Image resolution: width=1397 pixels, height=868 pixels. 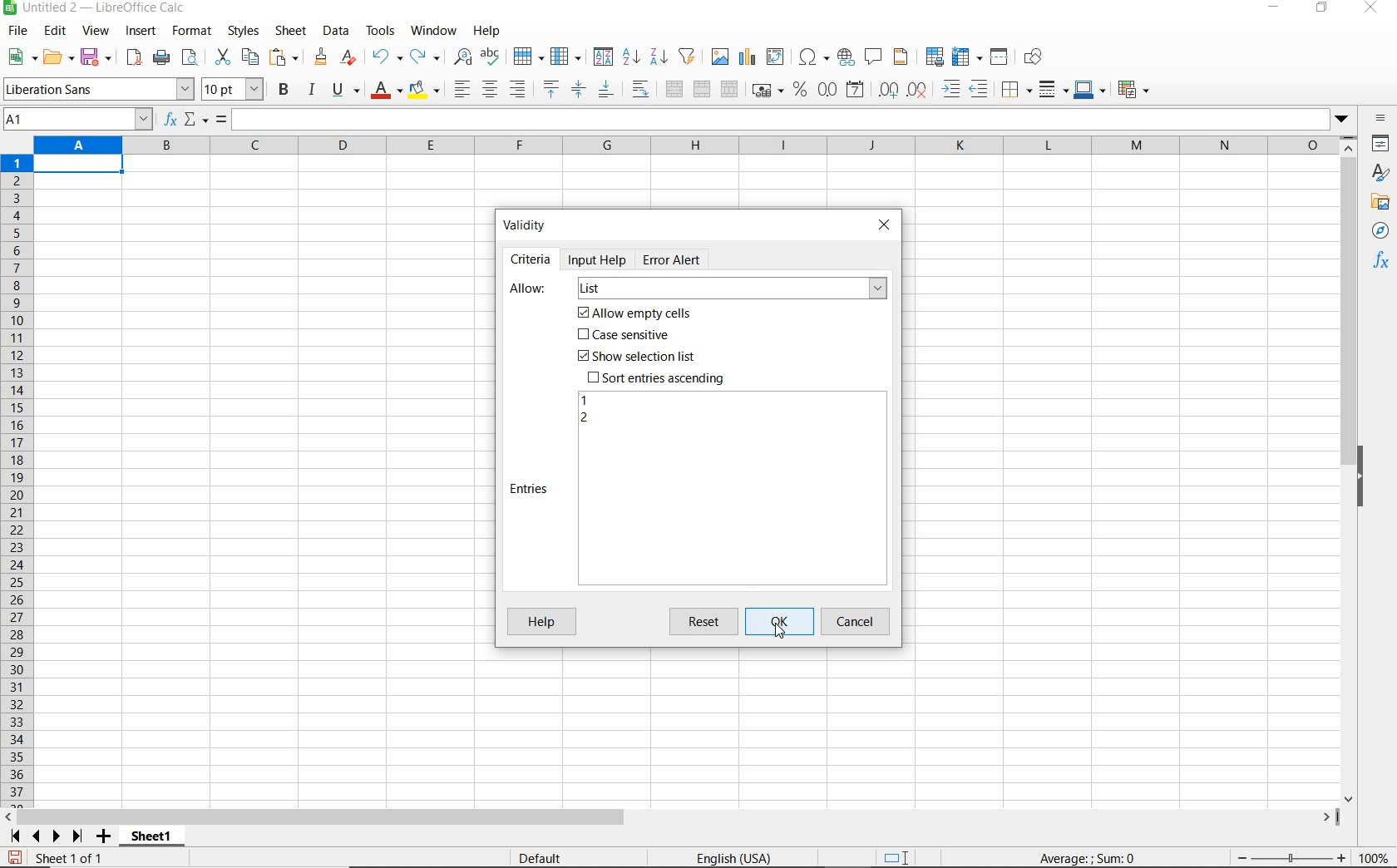 What do you see at coordinates (423, 91) in the screenshot?
I see `background color` at bounding box center [423, 91].